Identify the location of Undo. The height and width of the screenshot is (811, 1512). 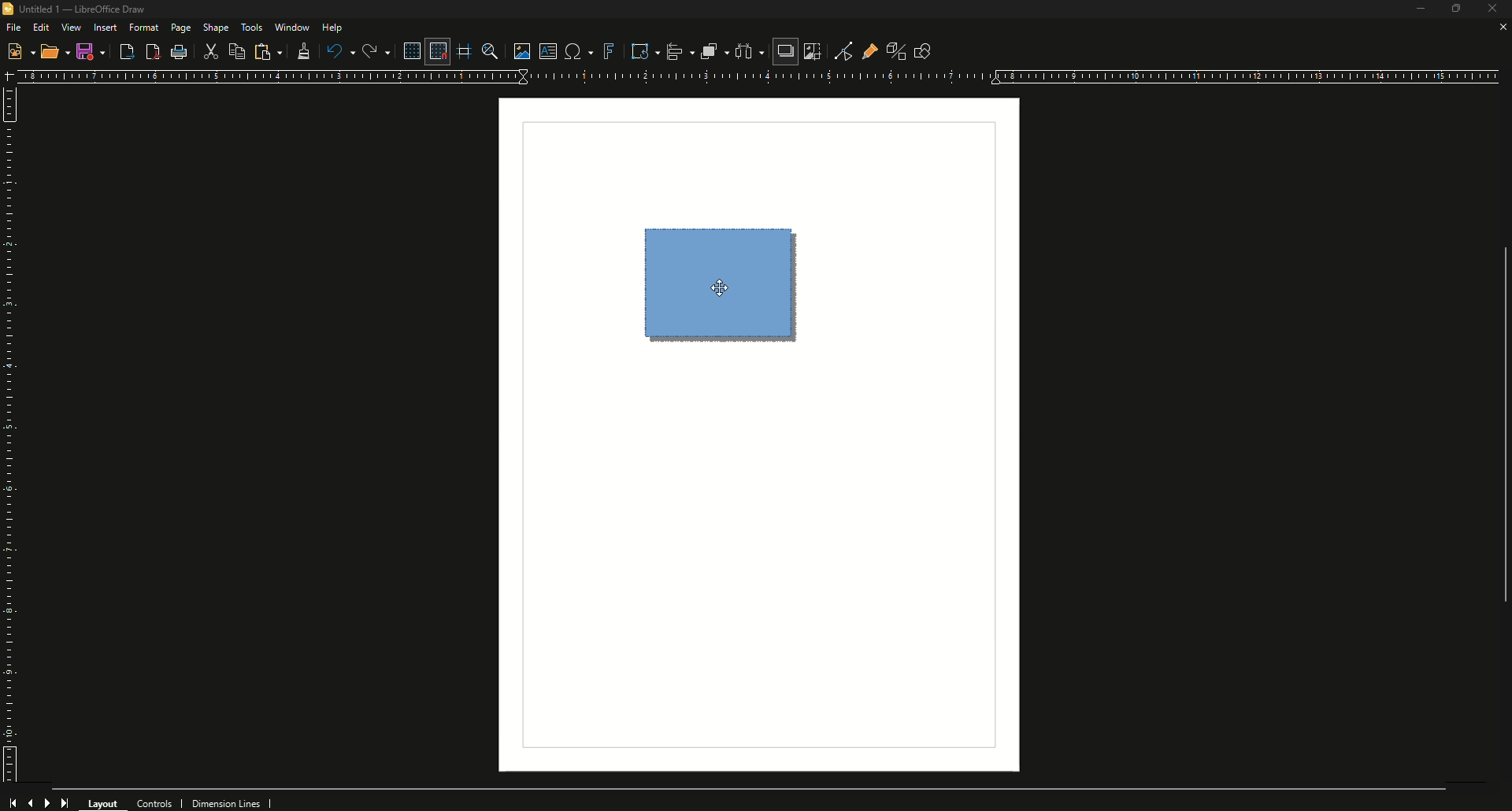
(339, 51).